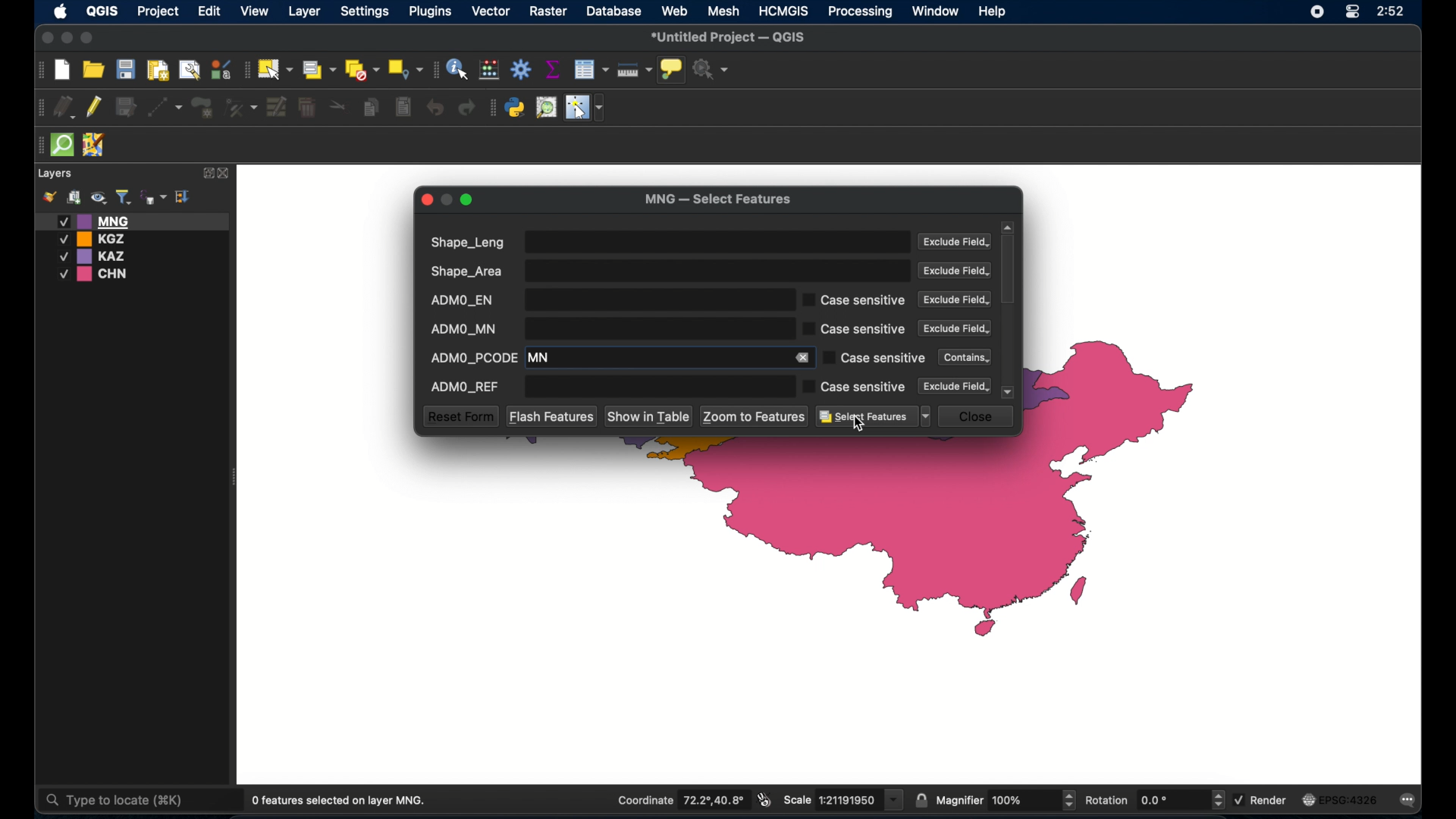 This screenshot has height=819, width=1456. Describe the element at coordinates (435, 70) in the screenshot. I see `attributes toolbar` at that location.